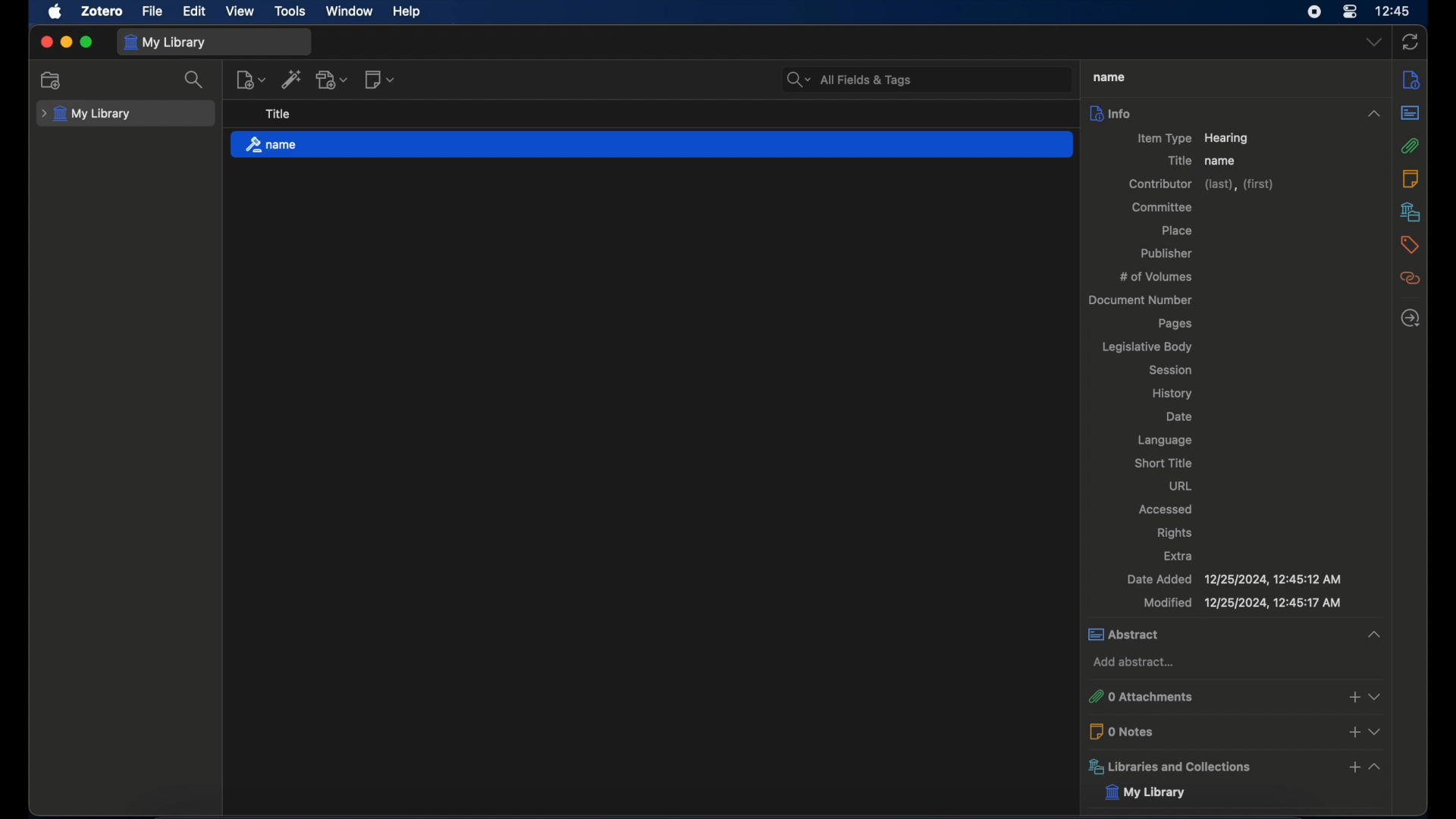  What do you see at coordinates (1107, 76) in the screenshot?
I see `title` at bounding box center [1107, 76].